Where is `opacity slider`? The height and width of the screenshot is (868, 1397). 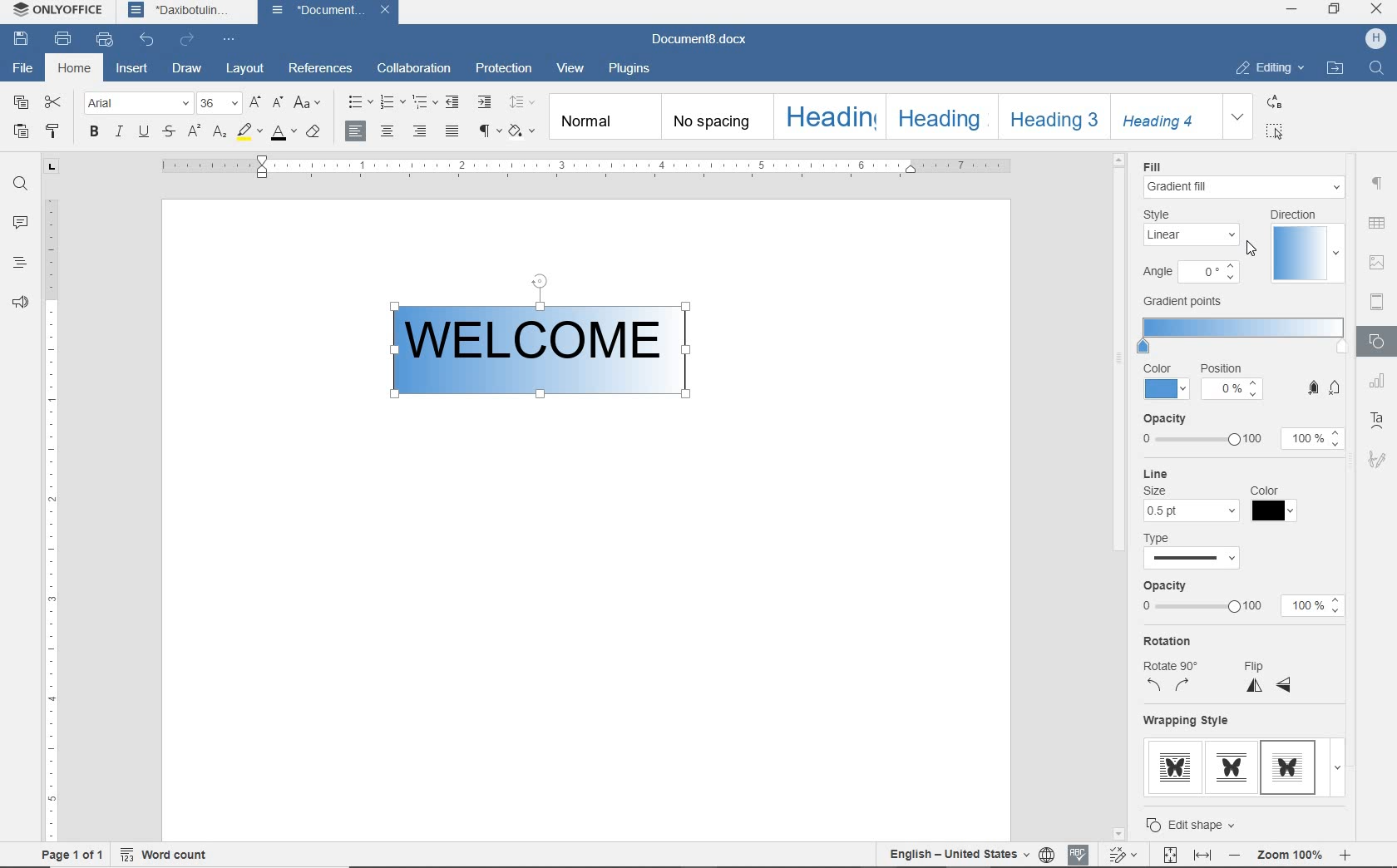 opacity slider is located at coordinates (1202, 438).